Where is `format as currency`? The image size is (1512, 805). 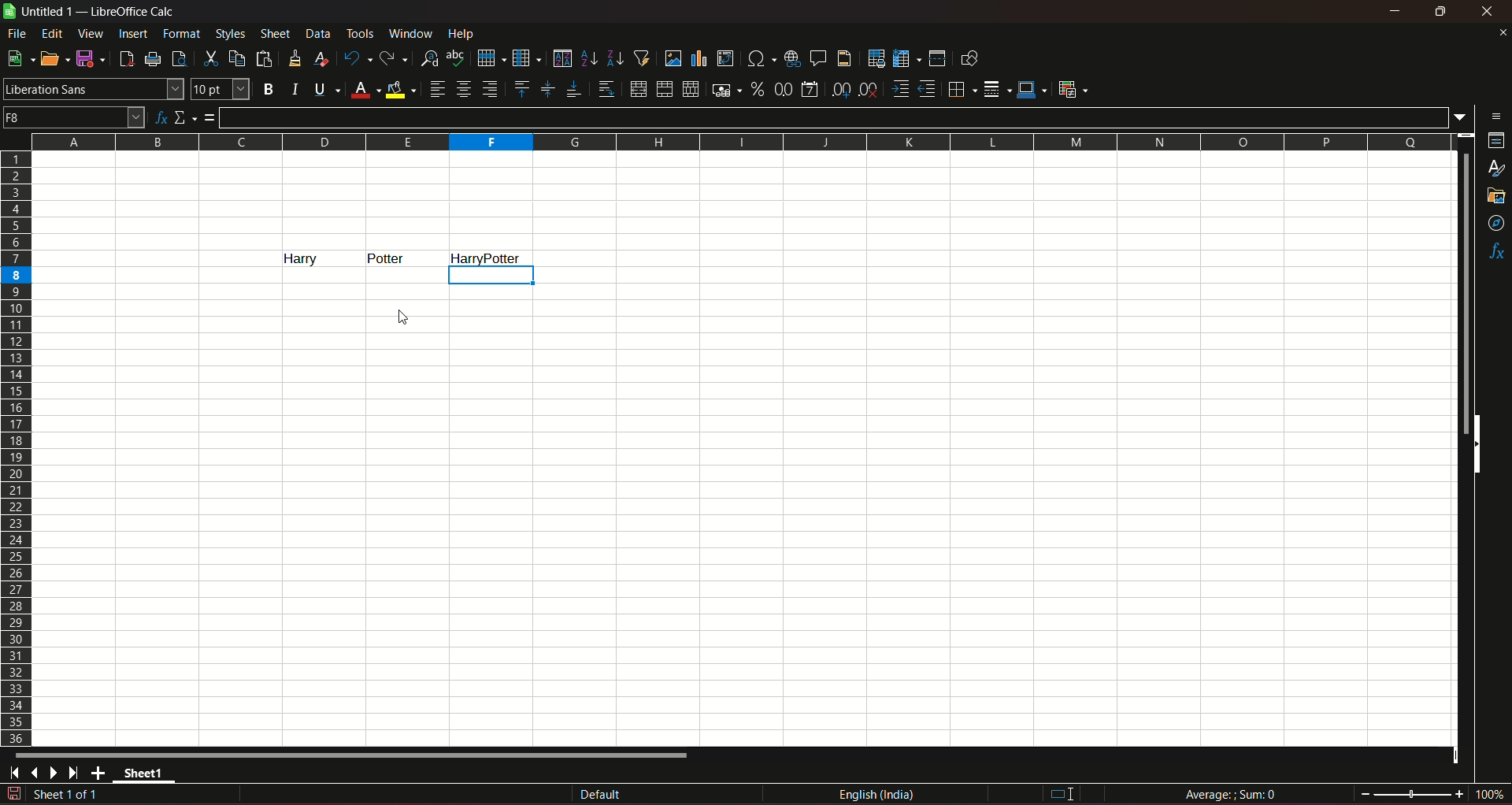 format as currency is located at coordinates (725, 90).